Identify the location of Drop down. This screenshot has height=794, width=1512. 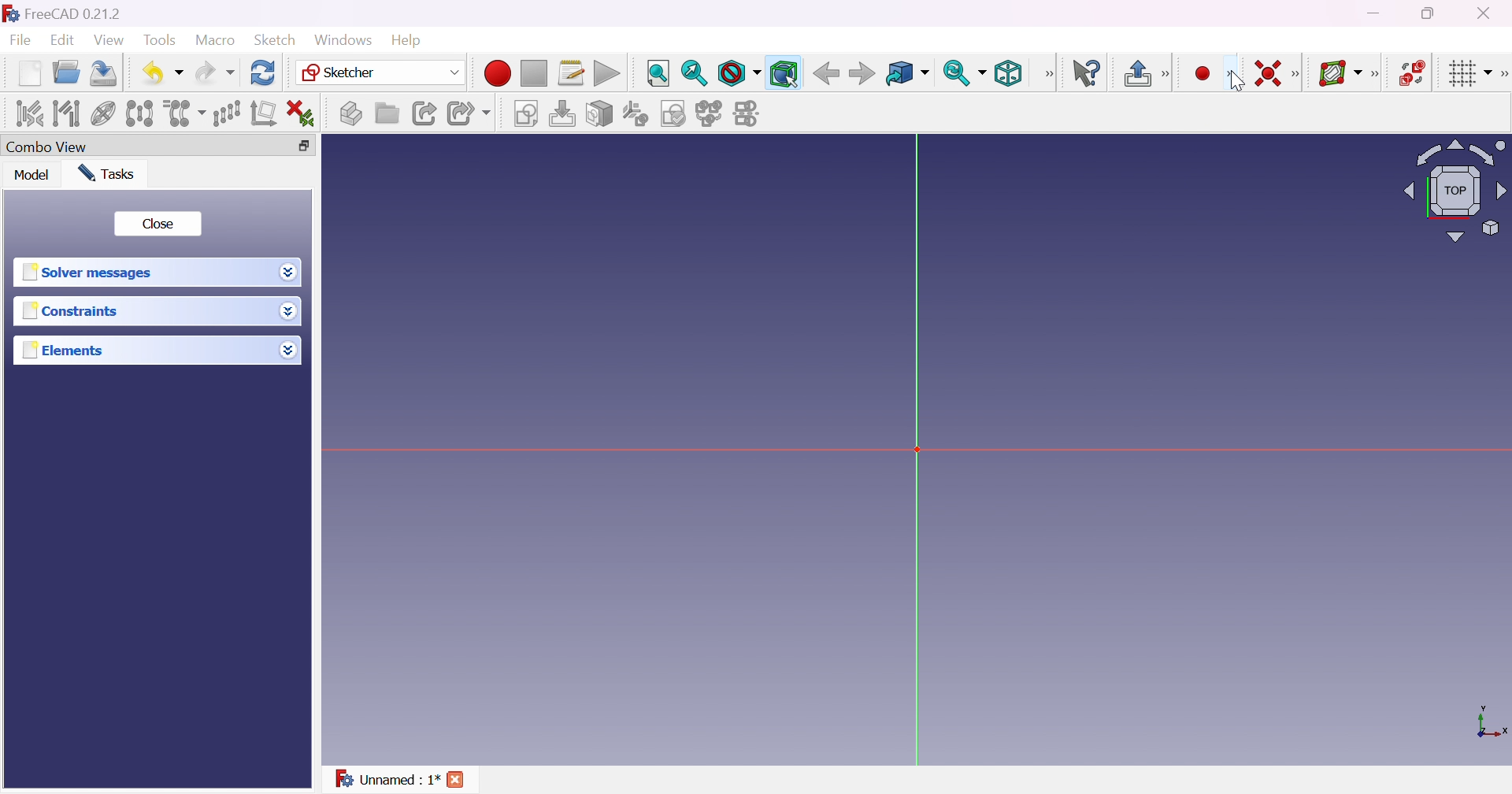
(289, 351).